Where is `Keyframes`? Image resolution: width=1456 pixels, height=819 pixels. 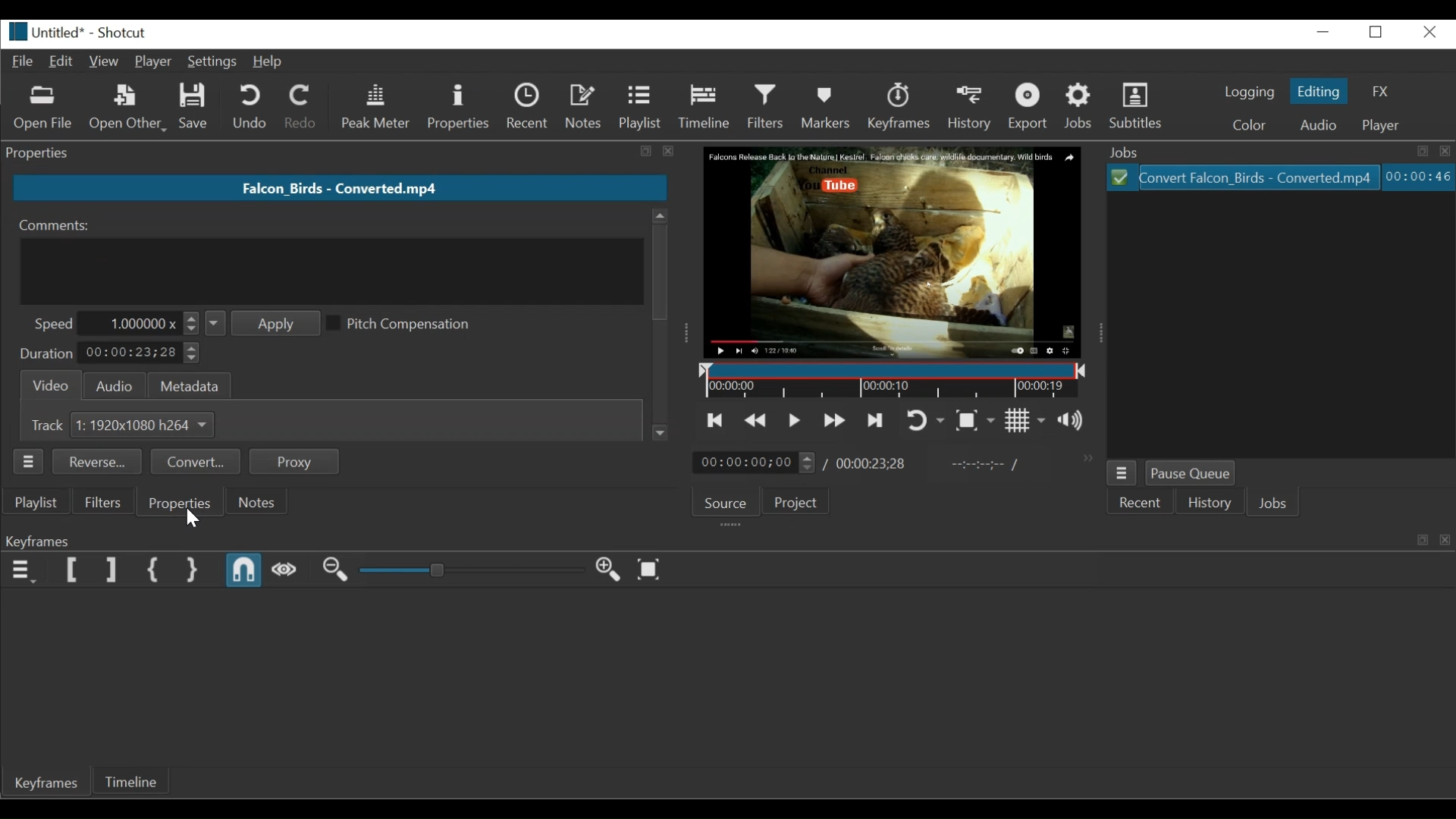 Keyframes is located at coordinates (902, 108).